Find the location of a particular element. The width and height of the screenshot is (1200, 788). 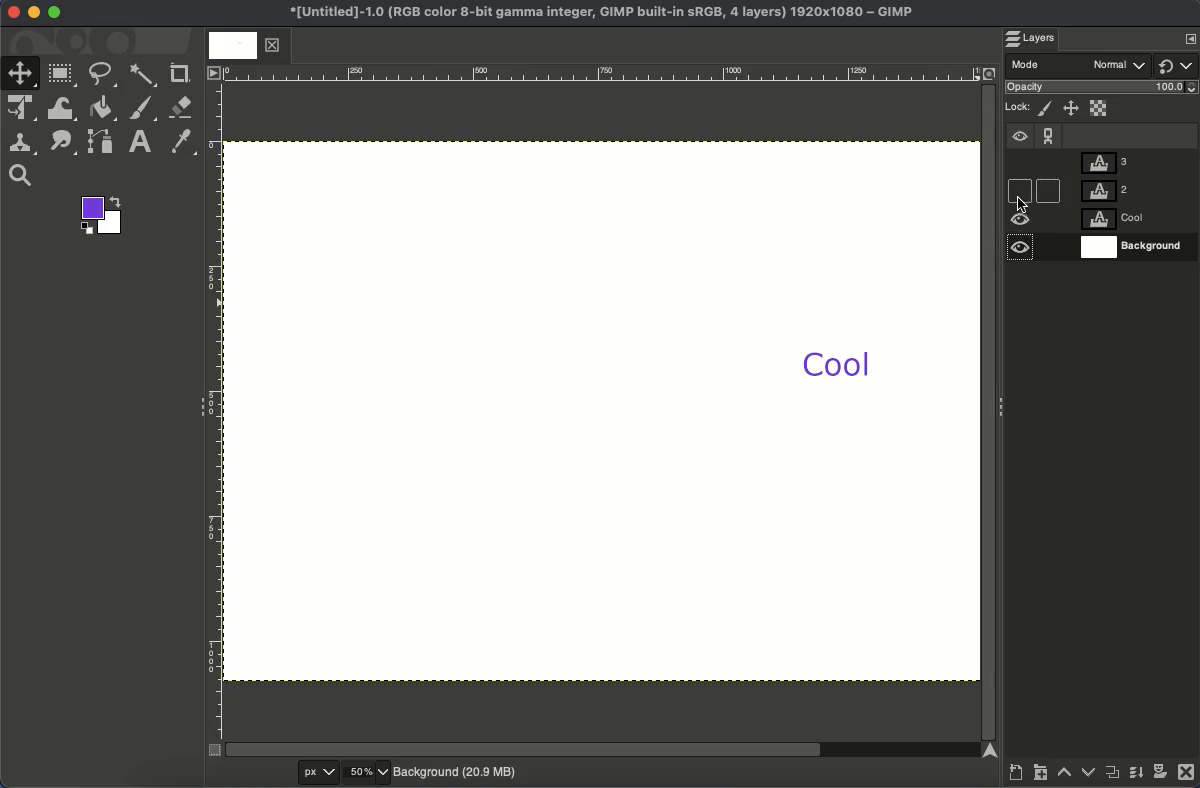

Minimize is located at coordinates (34, 12).